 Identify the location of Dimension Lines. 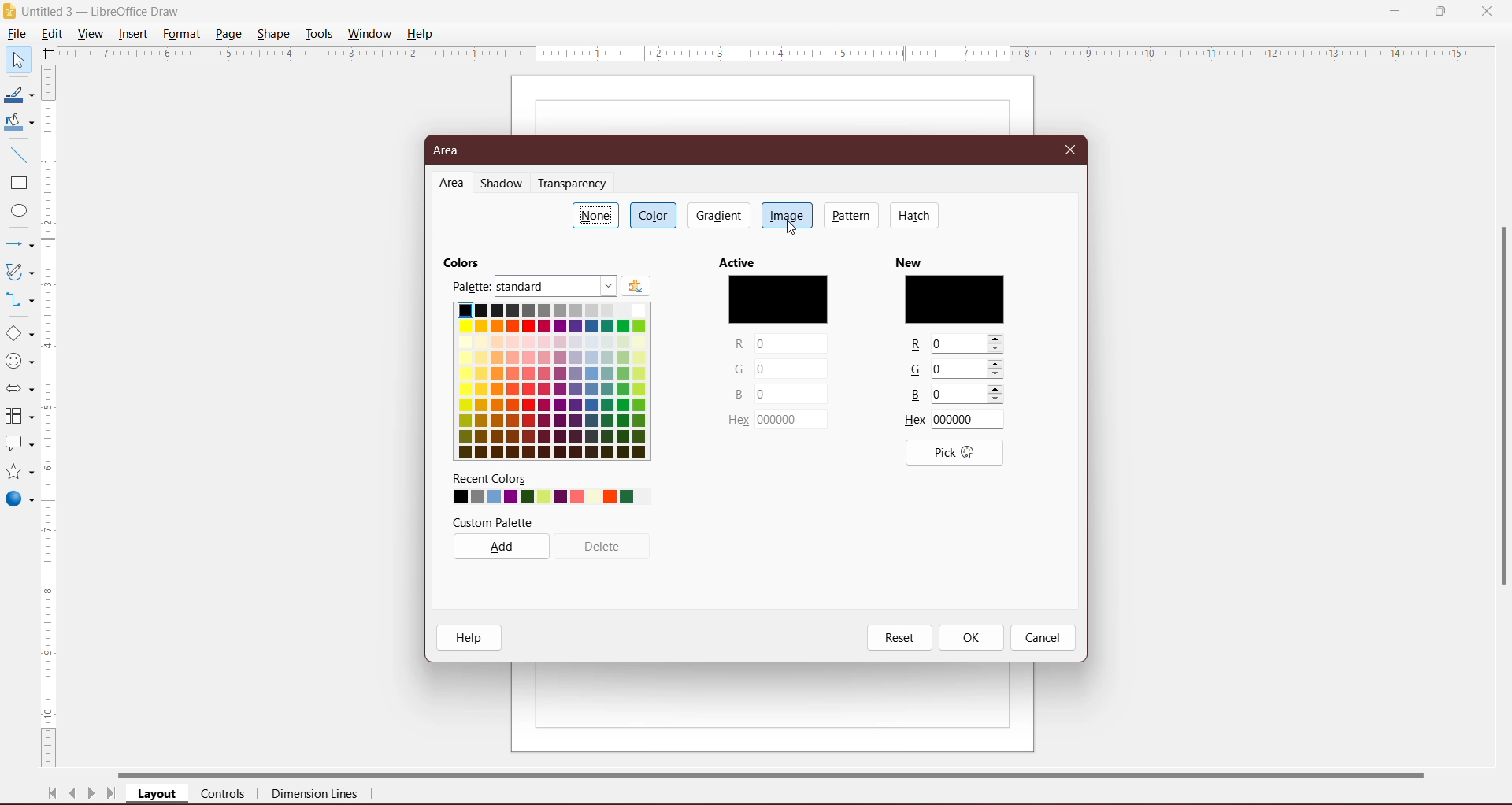
(316, 796).